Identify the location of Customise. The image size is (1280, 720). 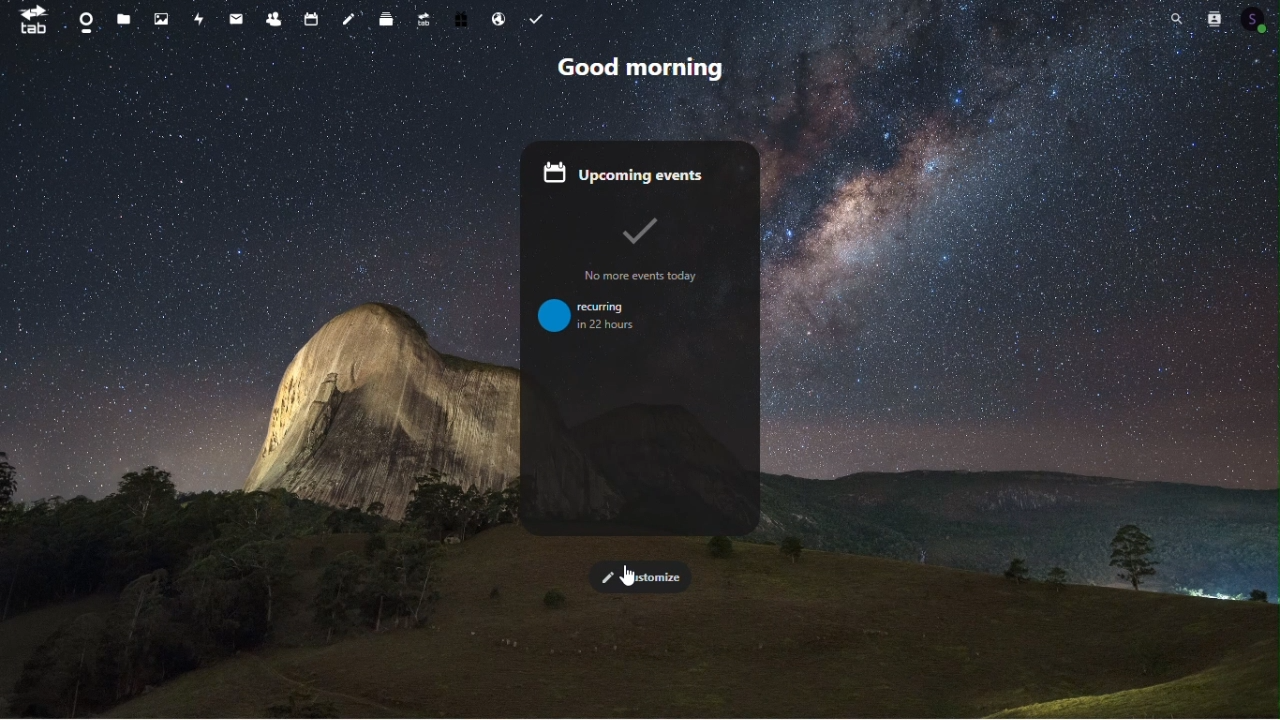
(640, 576).